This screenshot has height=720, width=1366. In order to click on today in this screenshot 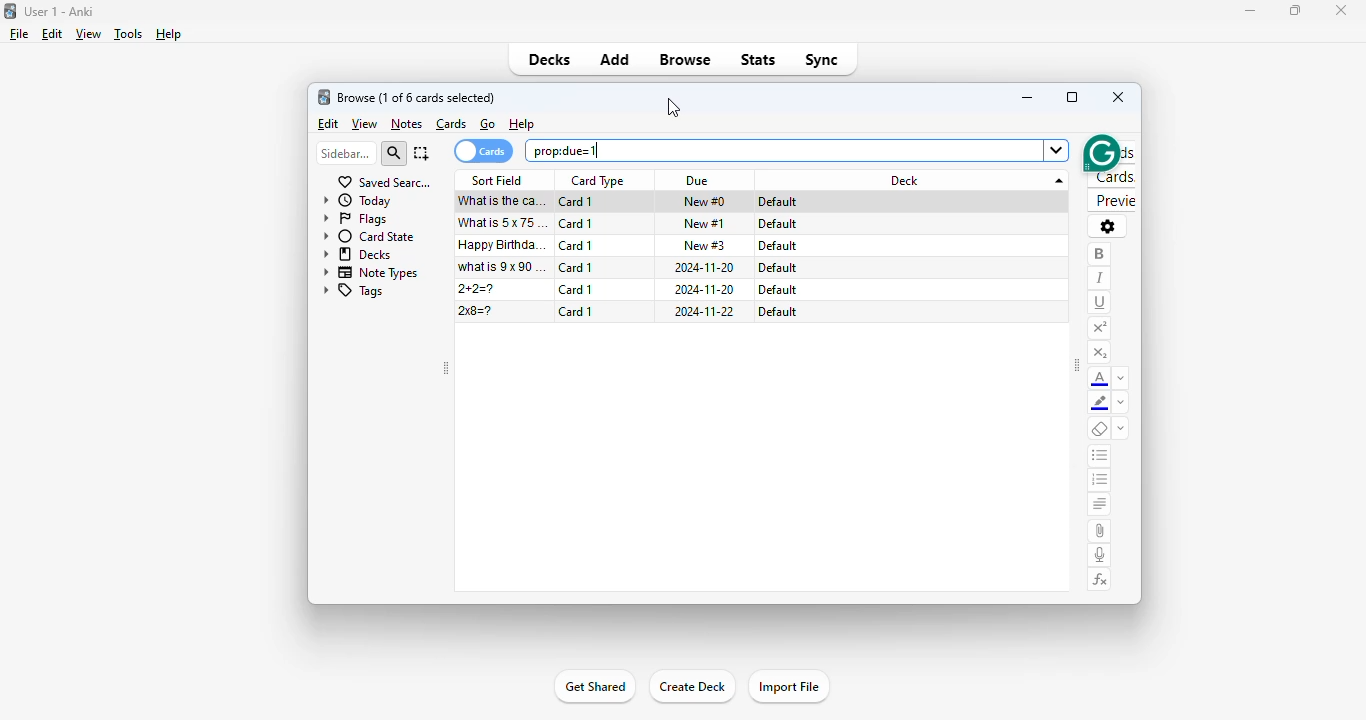, I will do `click(359, 201)`.